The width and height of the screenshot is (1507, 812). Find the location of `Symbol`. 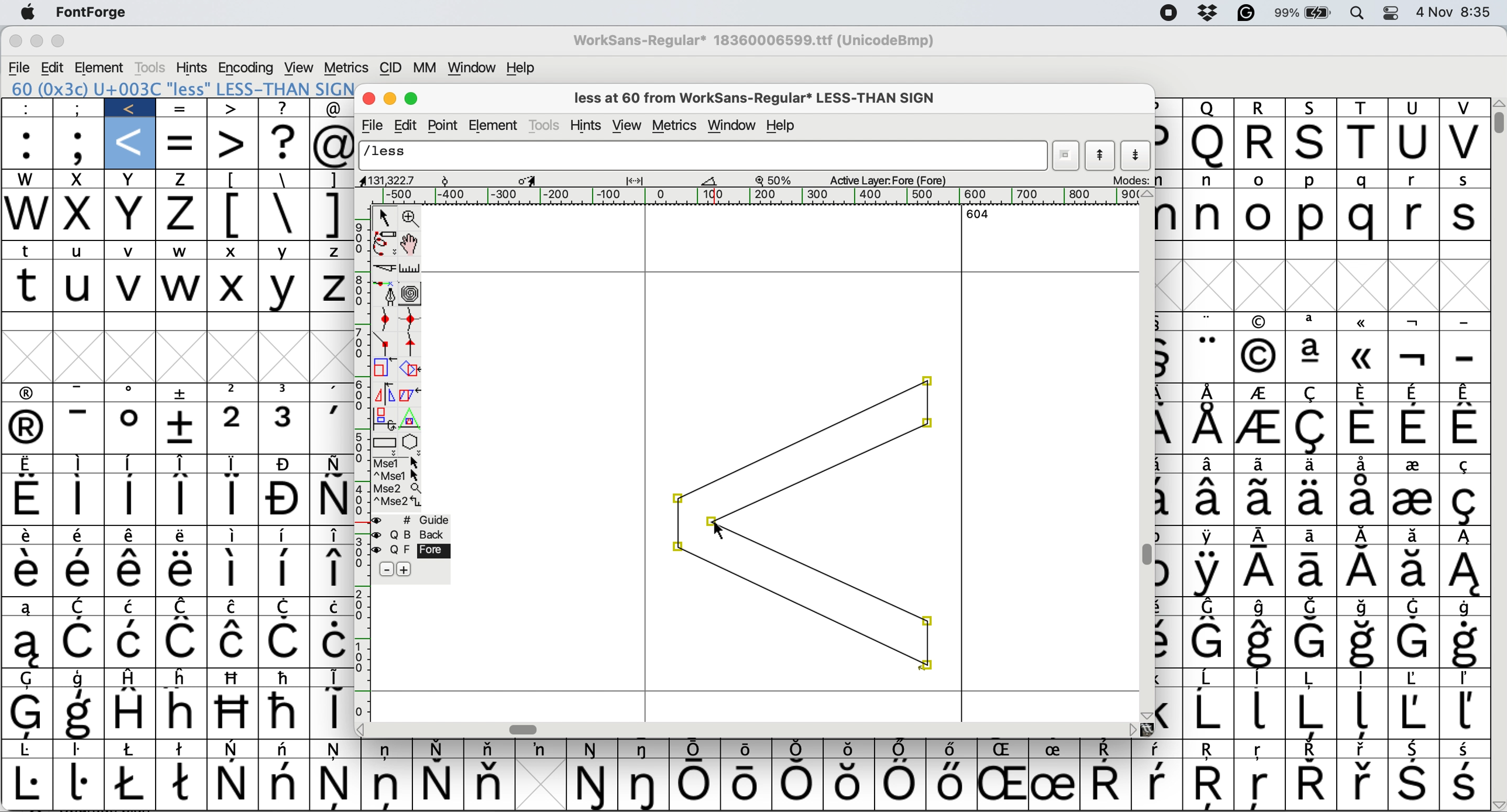

Symbol is located at coordinates (183, 643).